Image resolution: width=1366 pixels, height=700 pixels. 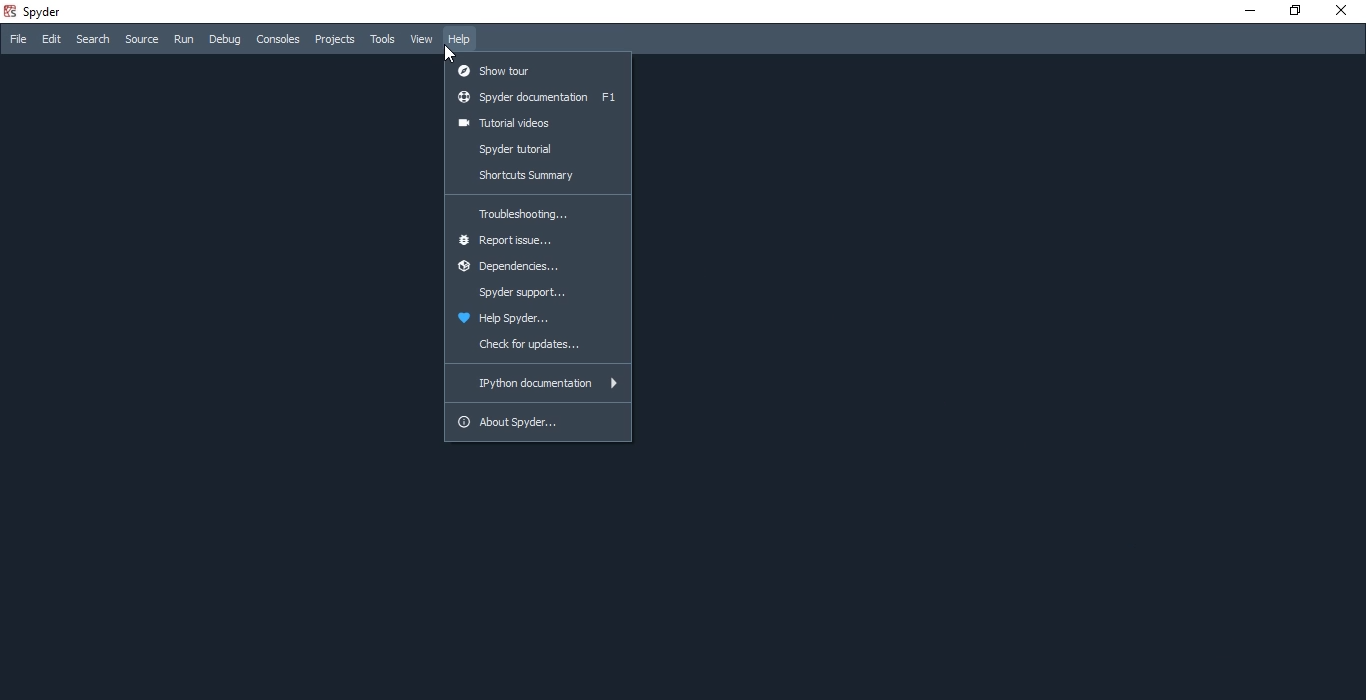 What do you see at coordinates (538, 212) in the screenshot?
I see `troubleshooting` at bounding box center [538, 212].